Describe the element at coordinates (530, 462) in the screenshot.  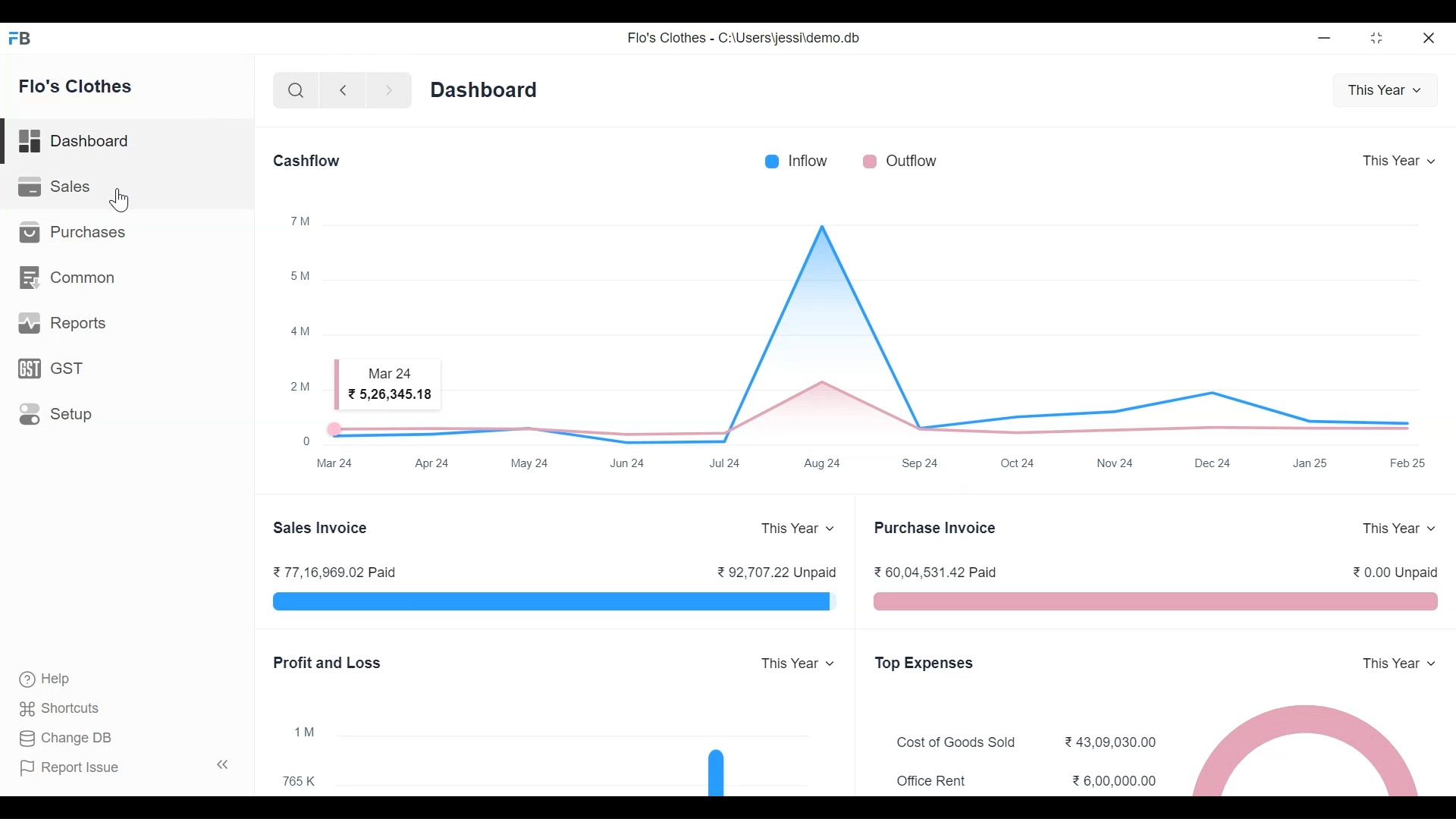
I see `May 24` at that location.